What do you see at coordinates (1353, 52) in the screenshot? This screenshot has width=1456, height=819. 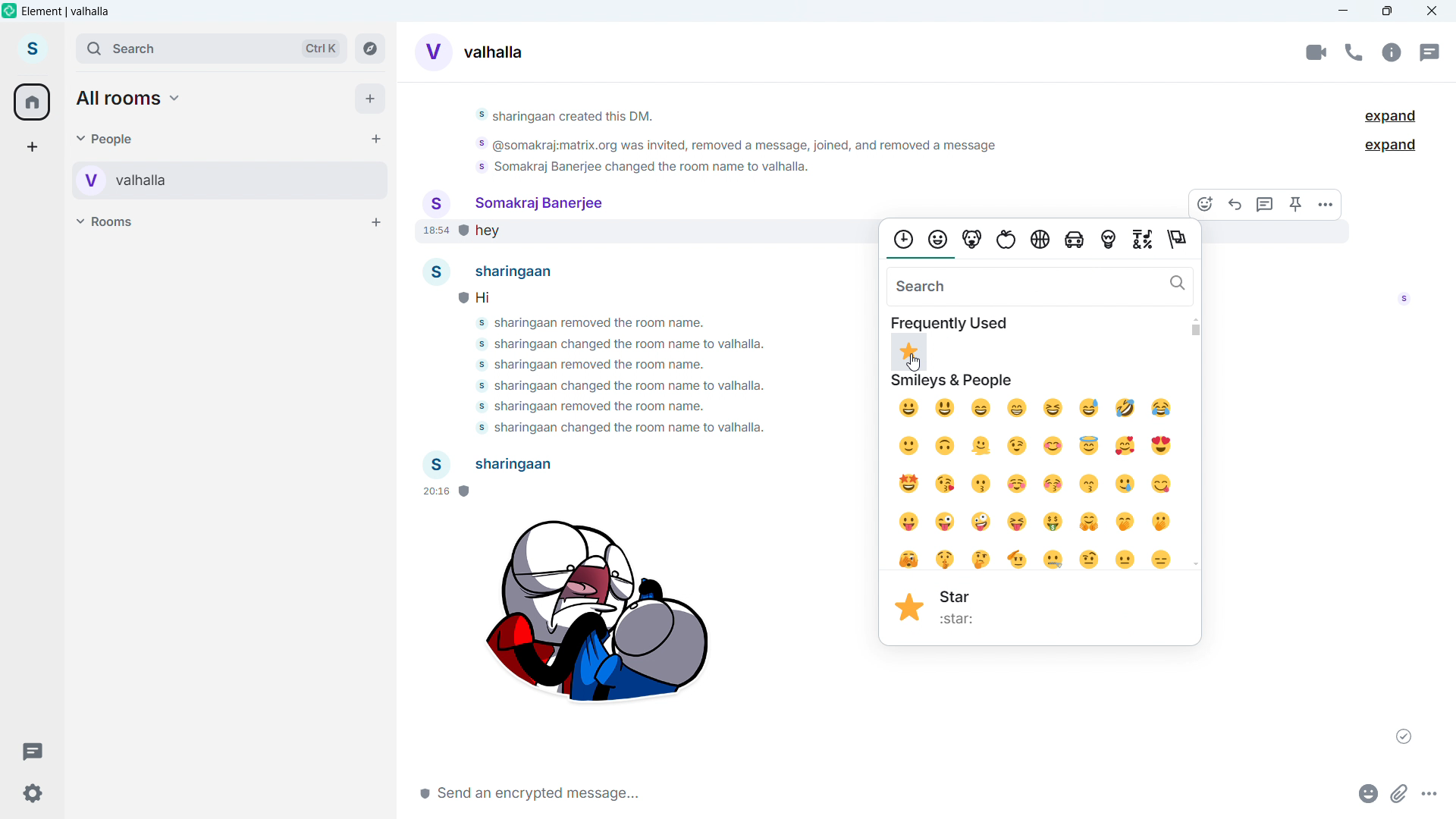 I see `call ` at bounding box center [1353, 52].